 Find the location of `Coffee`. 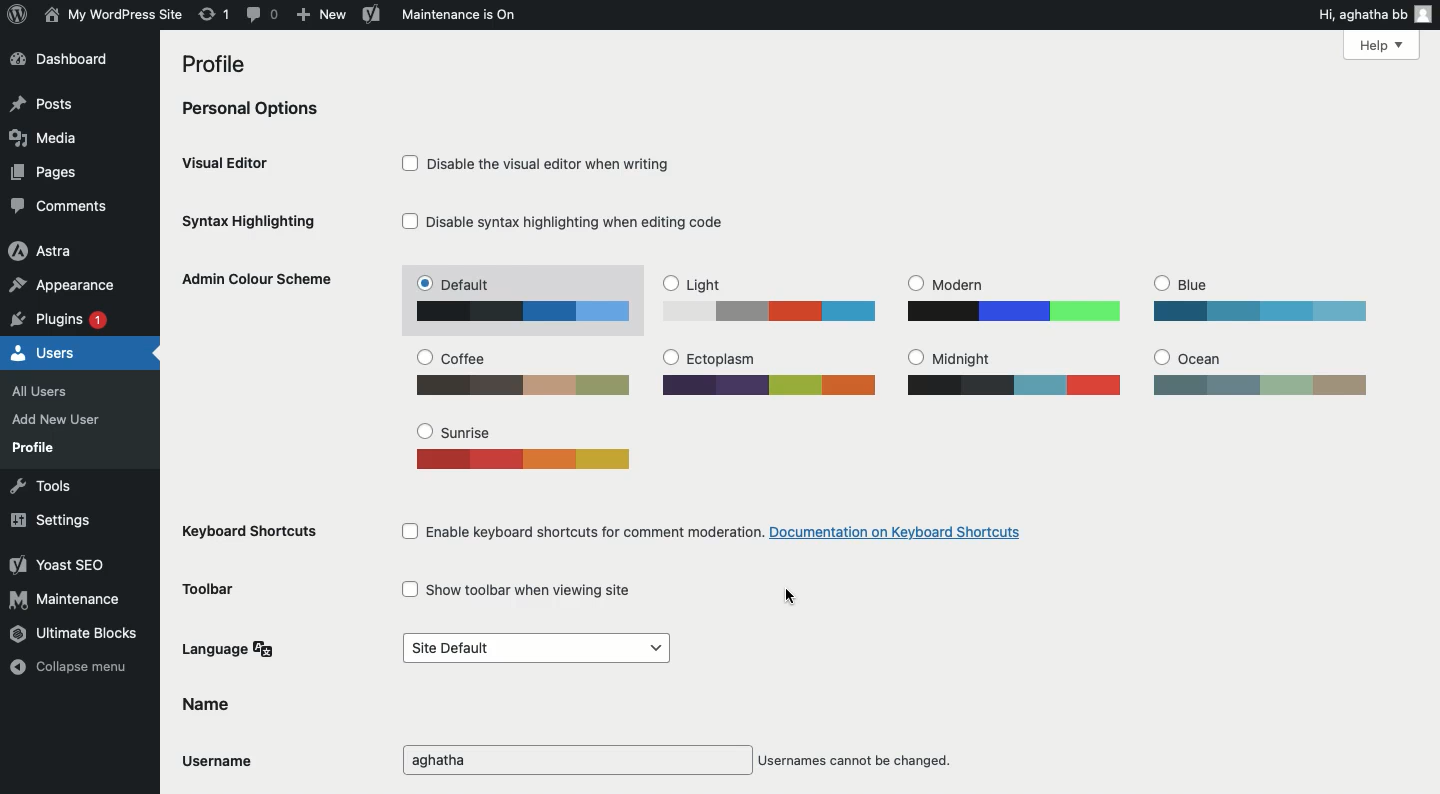

Coffee is located at coordinates (523, 373).